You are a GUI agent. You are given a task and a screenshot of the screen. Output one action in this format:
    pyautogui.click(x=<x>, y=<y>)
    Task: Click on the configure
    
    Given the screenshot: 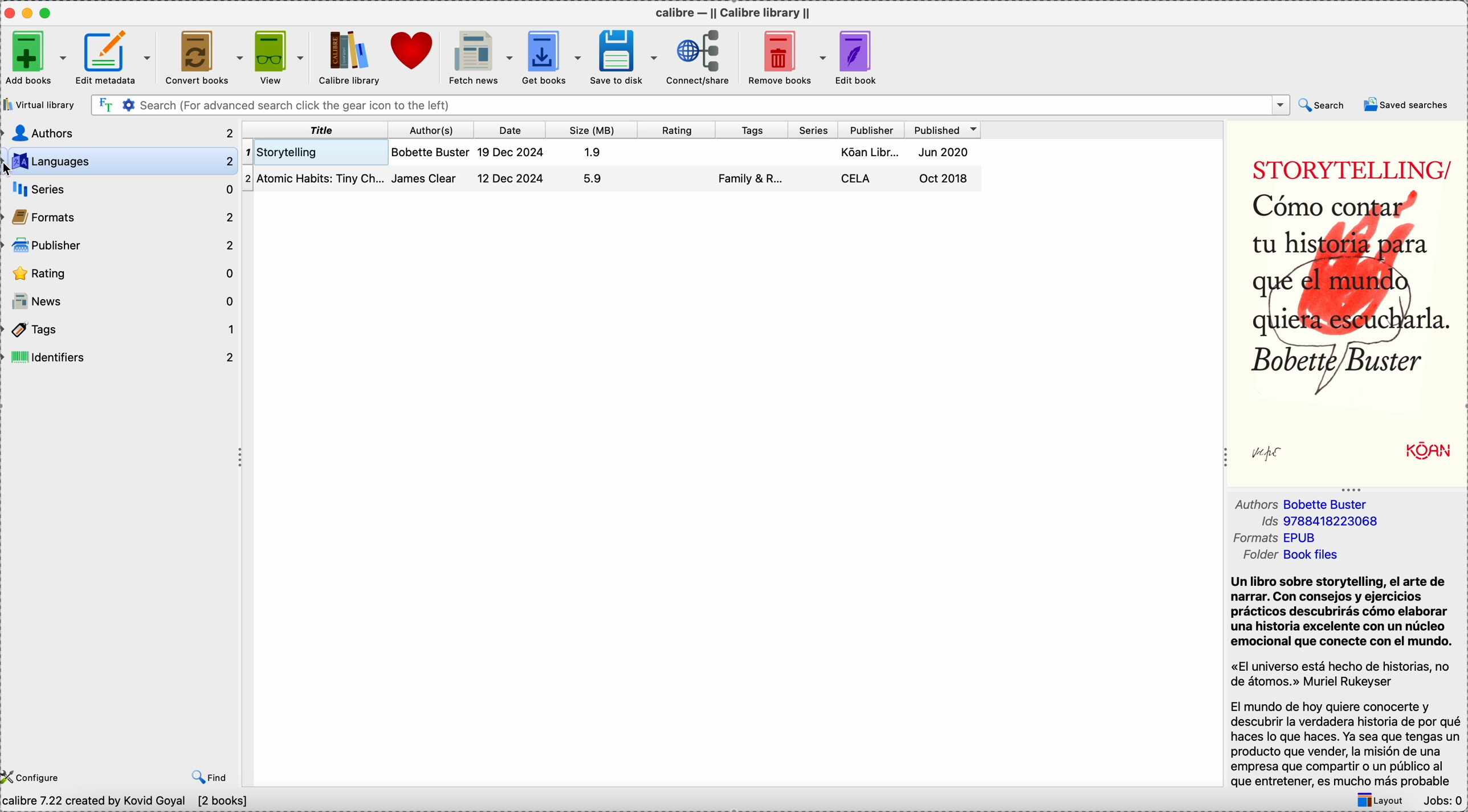 What is the action you would take?
    pyautogui.click(x=38, y=777)
    